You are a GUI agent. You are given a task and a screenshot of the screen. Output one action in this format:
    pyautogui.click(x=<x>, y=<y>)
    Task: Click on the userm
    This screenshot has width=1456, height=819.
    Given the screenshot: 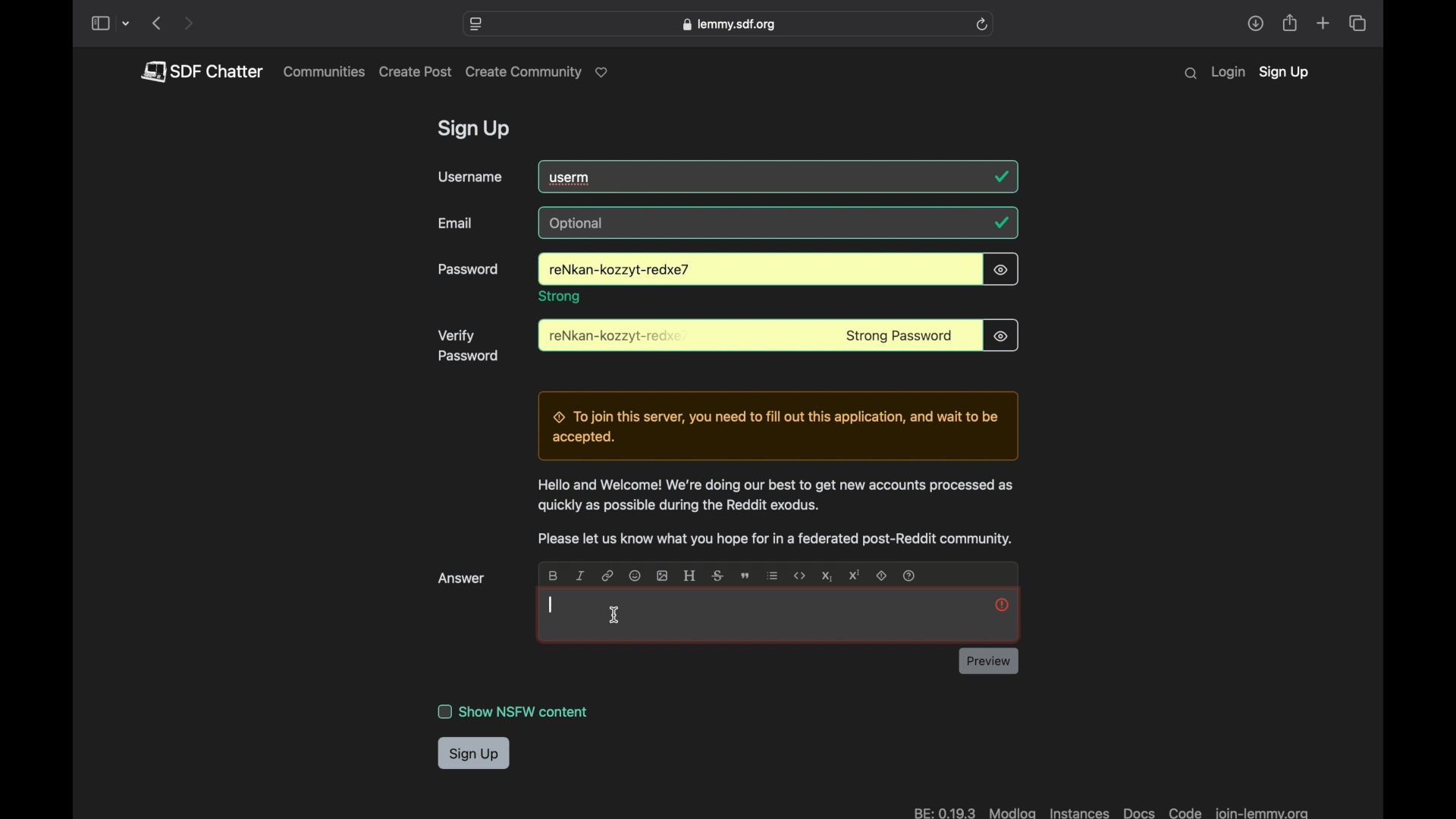 What is the action you would take?
    pyautogui.click(x=572, y=177)
    